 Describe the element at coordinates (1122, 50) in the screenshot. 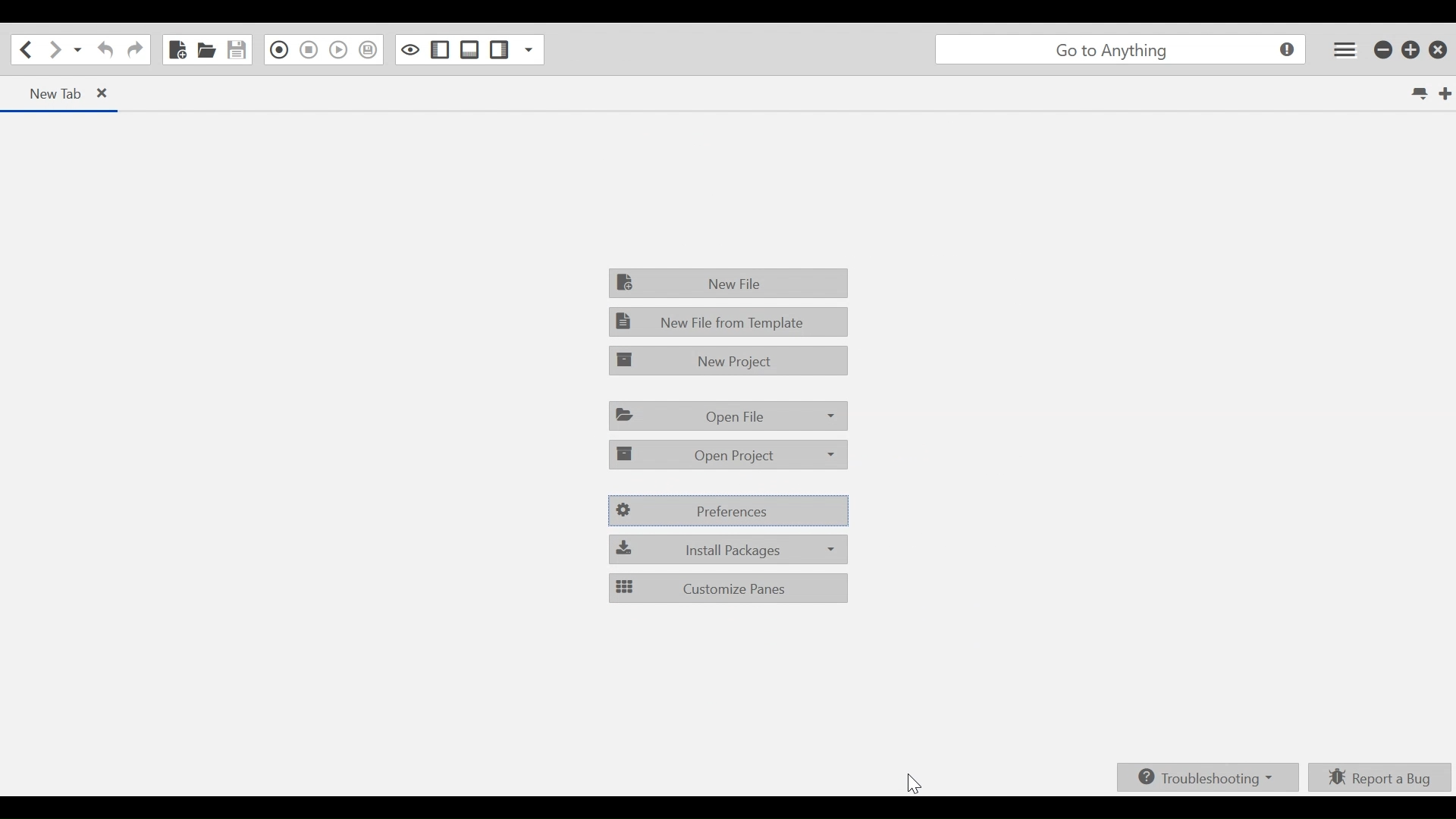

I see `Application menu` at that location.